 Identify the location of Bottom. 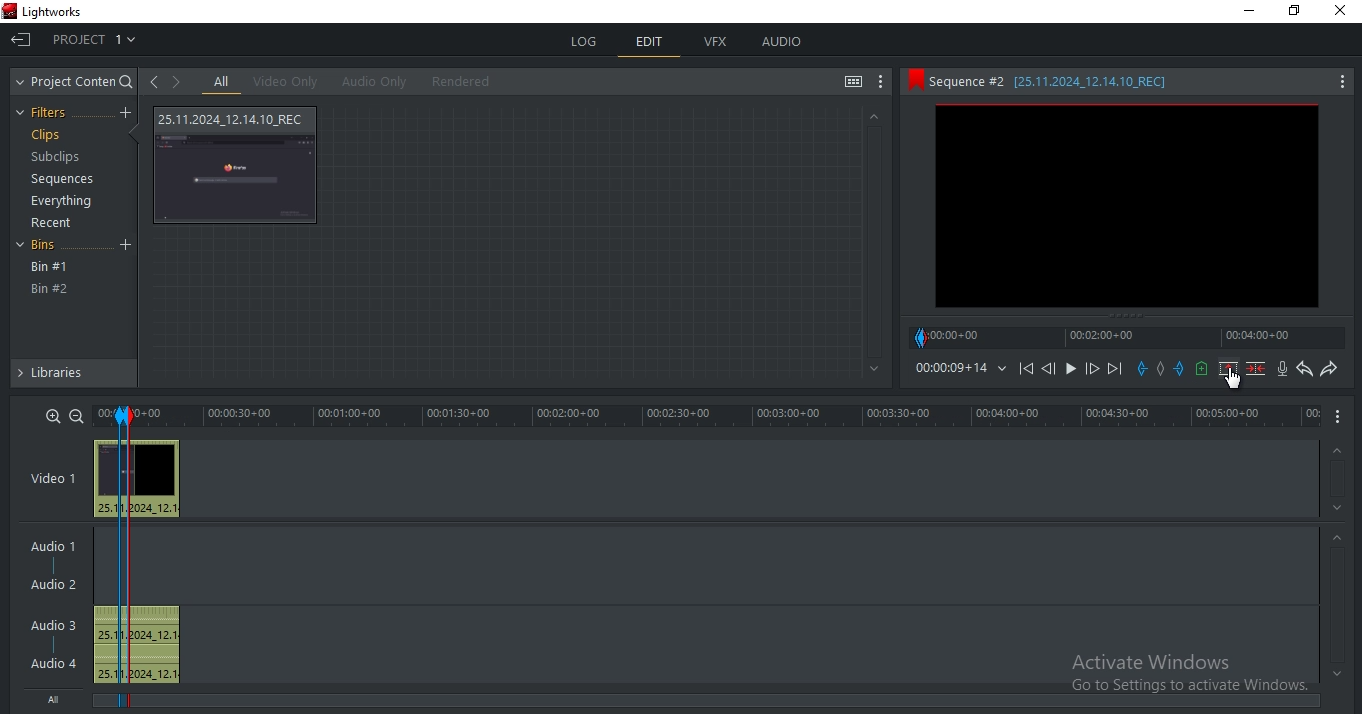
(871, 369).